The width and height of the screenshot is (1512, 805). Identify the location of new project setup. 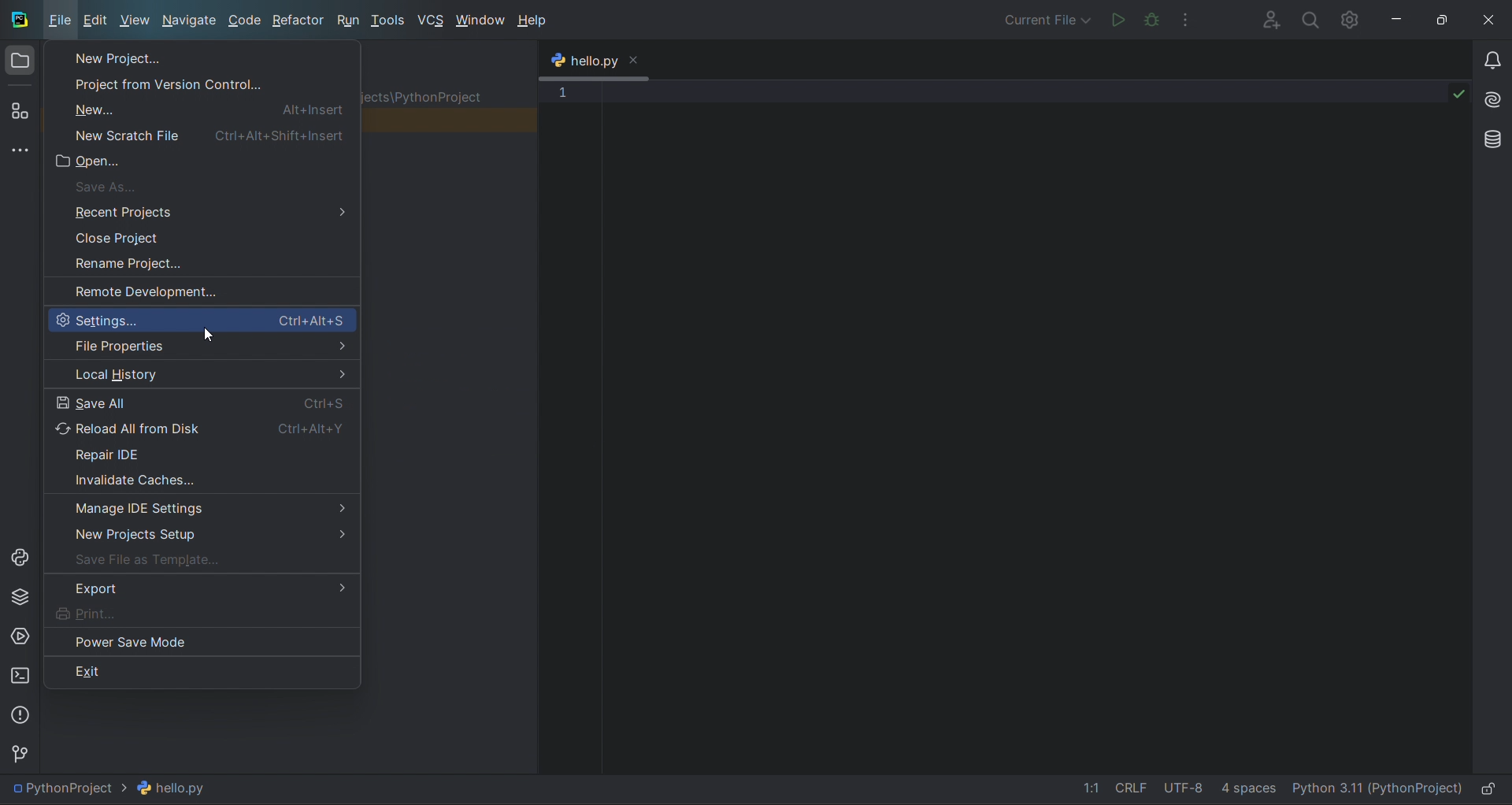
(201, 532).